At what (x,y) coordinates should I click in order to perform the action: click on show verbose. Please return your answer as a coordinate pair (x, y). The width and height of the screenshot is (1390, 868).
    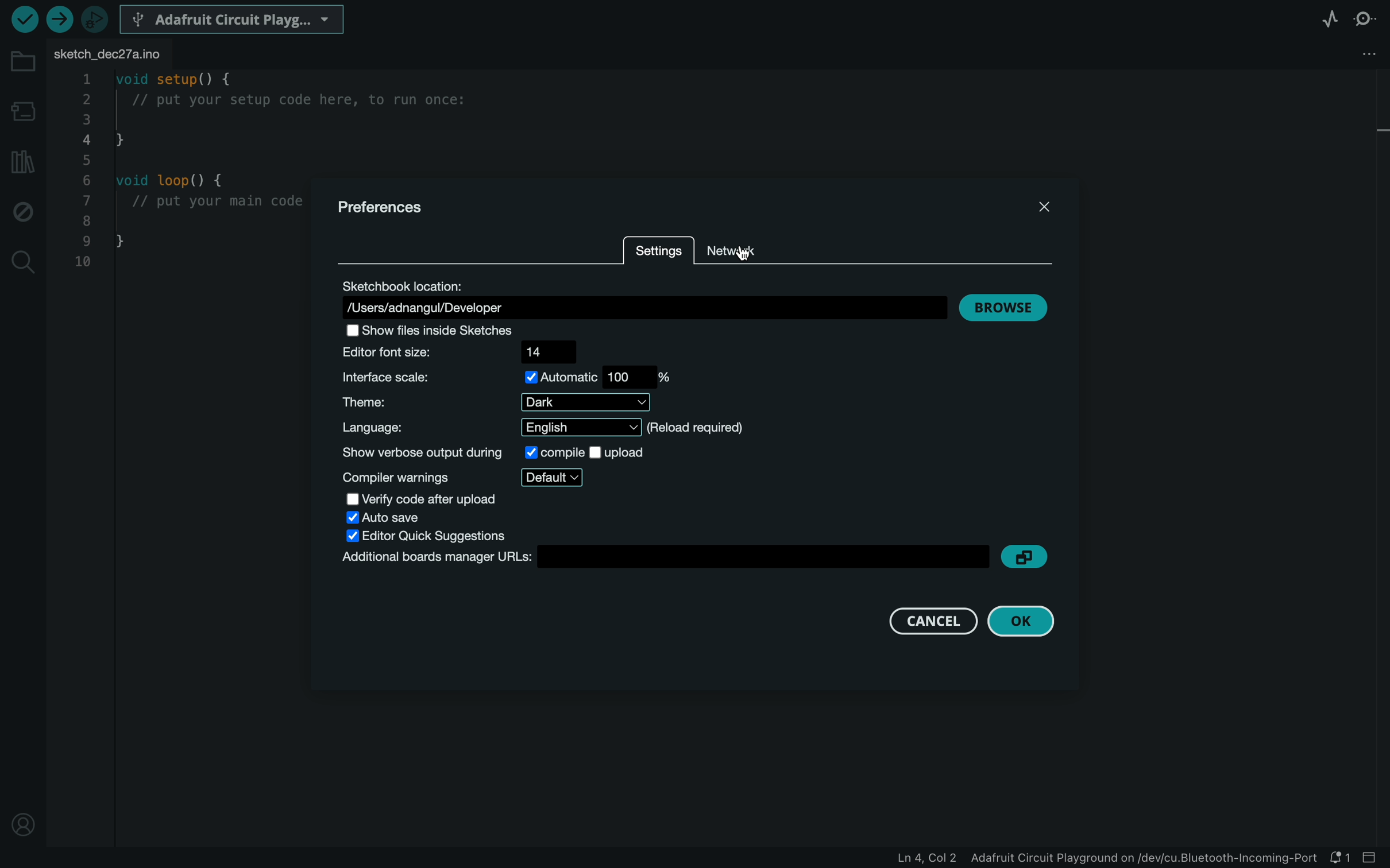
    Looking at the image, I should click on (492, 451).